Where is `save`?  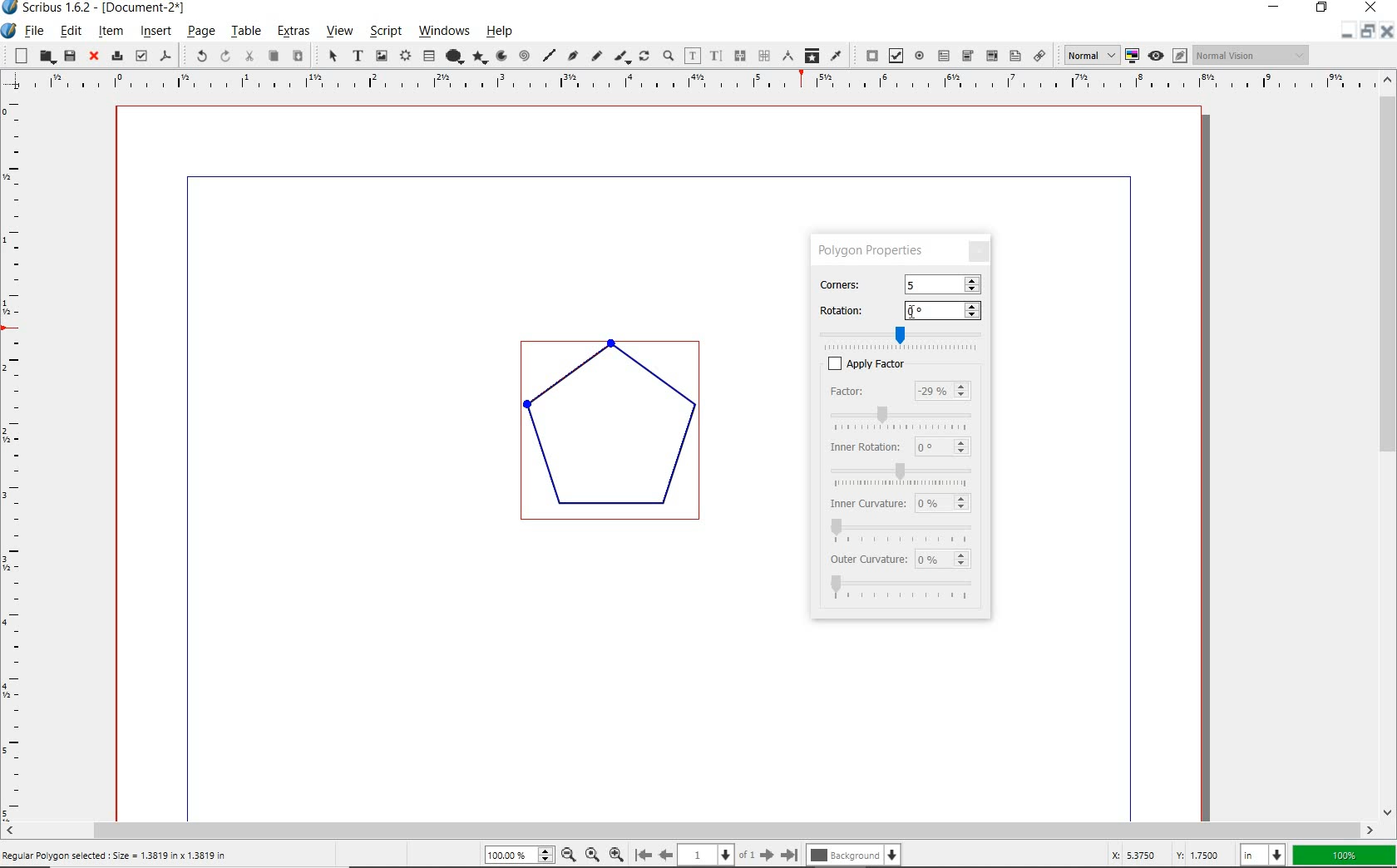
save is located at coordinates (69, 55).